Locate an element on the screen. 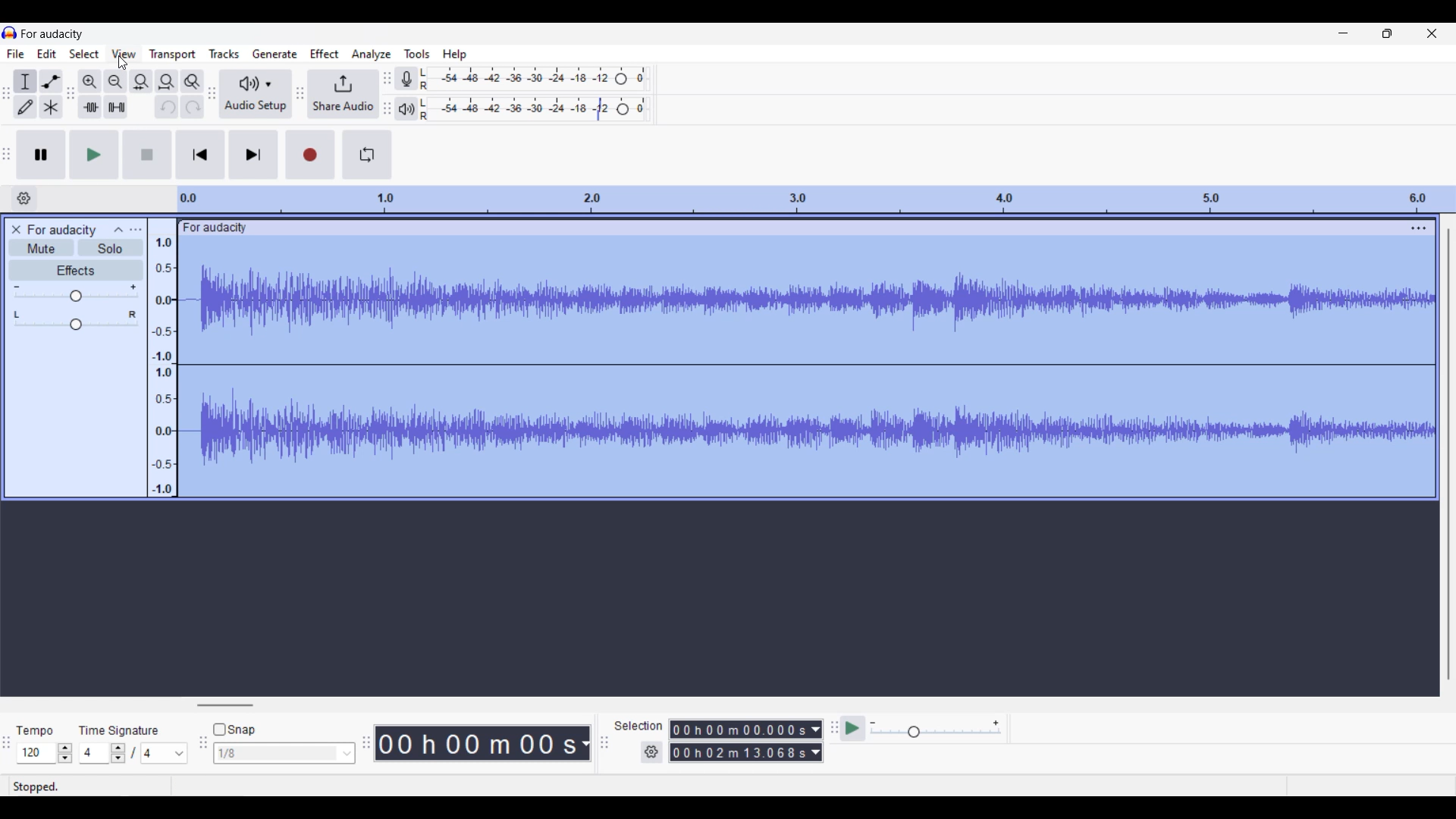 The width and height of the screenshot is (1456, 819). Stop is located at coordinates (147, 155).